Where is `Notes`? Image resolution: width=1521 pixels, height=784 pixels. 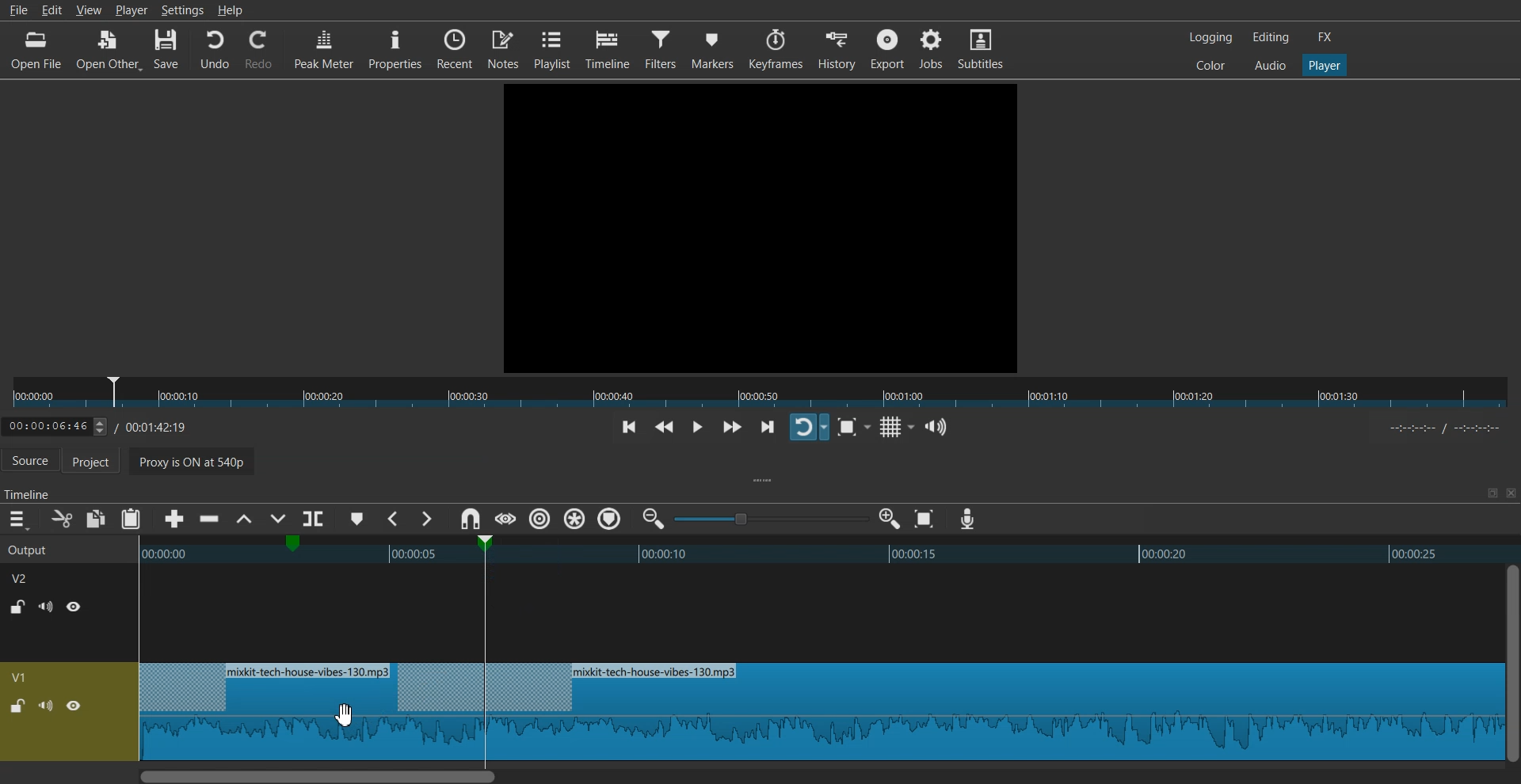 Notes is located at coordinates (505, 48).